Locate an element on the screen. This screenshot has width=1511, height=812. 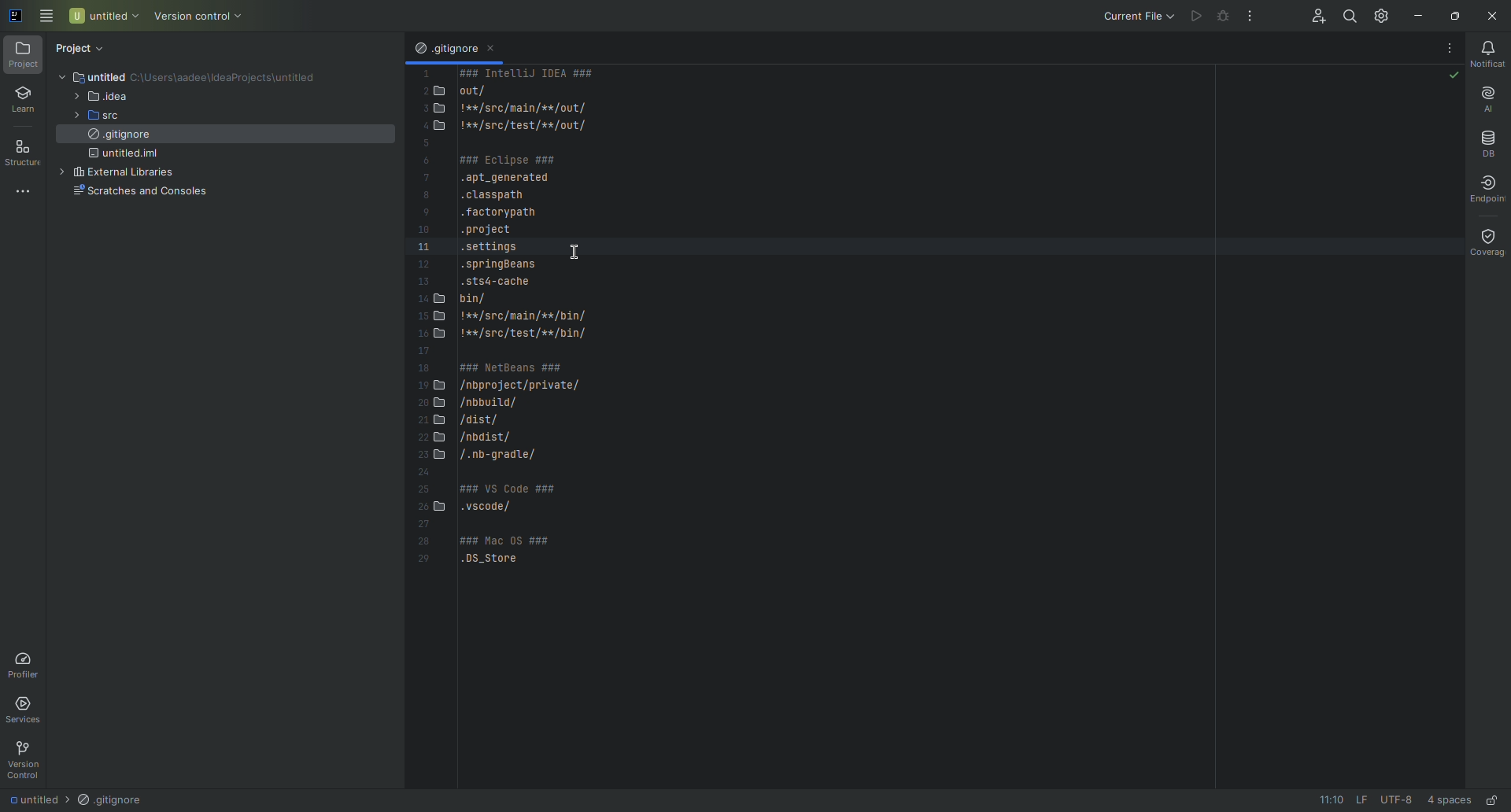
Application logo is located at coordinates (14, 13).